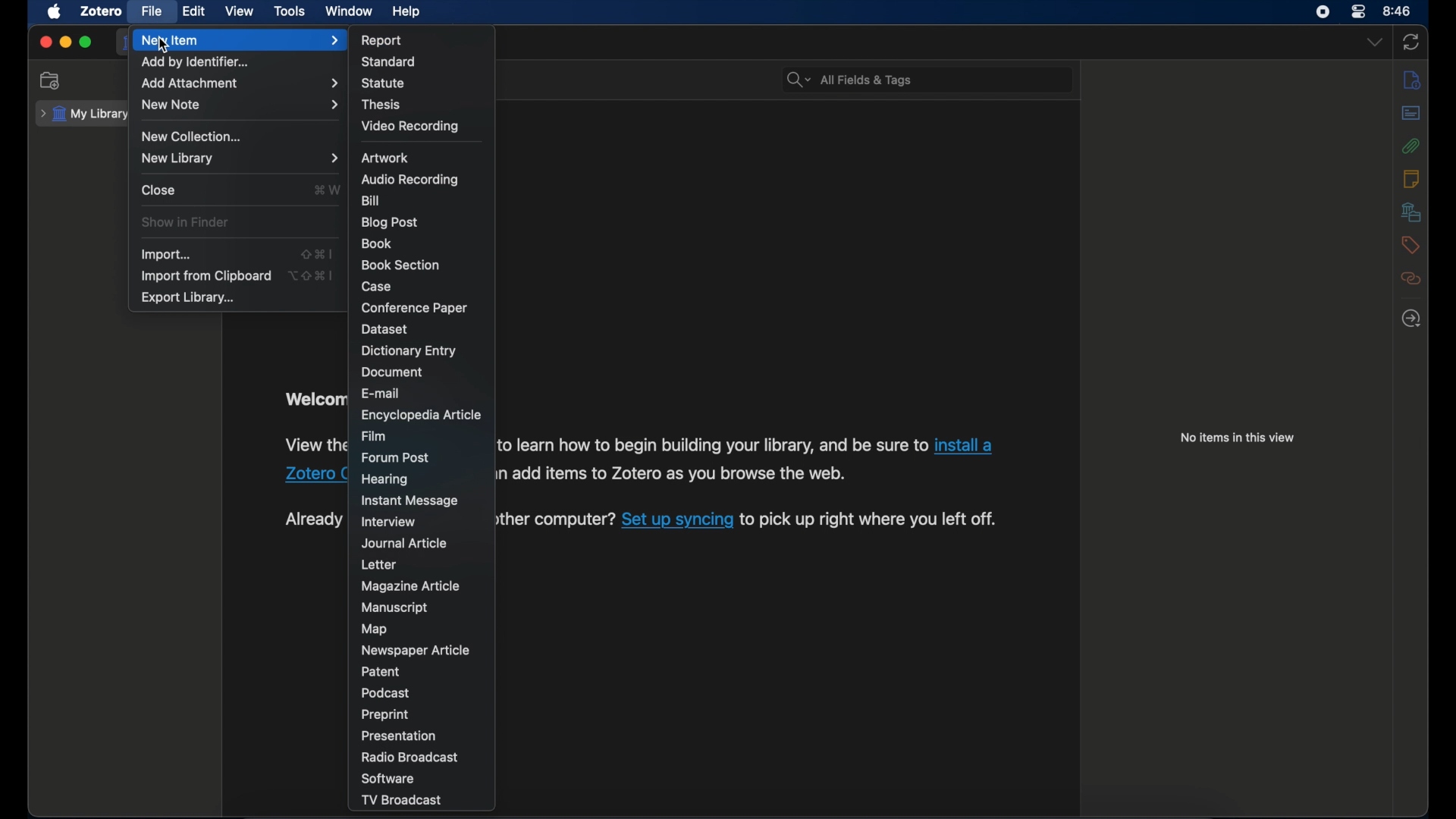 The height and width of the screenshot is (819, 1456). Describe the element at coordinates (417, 650) in the screenshot. I see `newspaper article` at that location.